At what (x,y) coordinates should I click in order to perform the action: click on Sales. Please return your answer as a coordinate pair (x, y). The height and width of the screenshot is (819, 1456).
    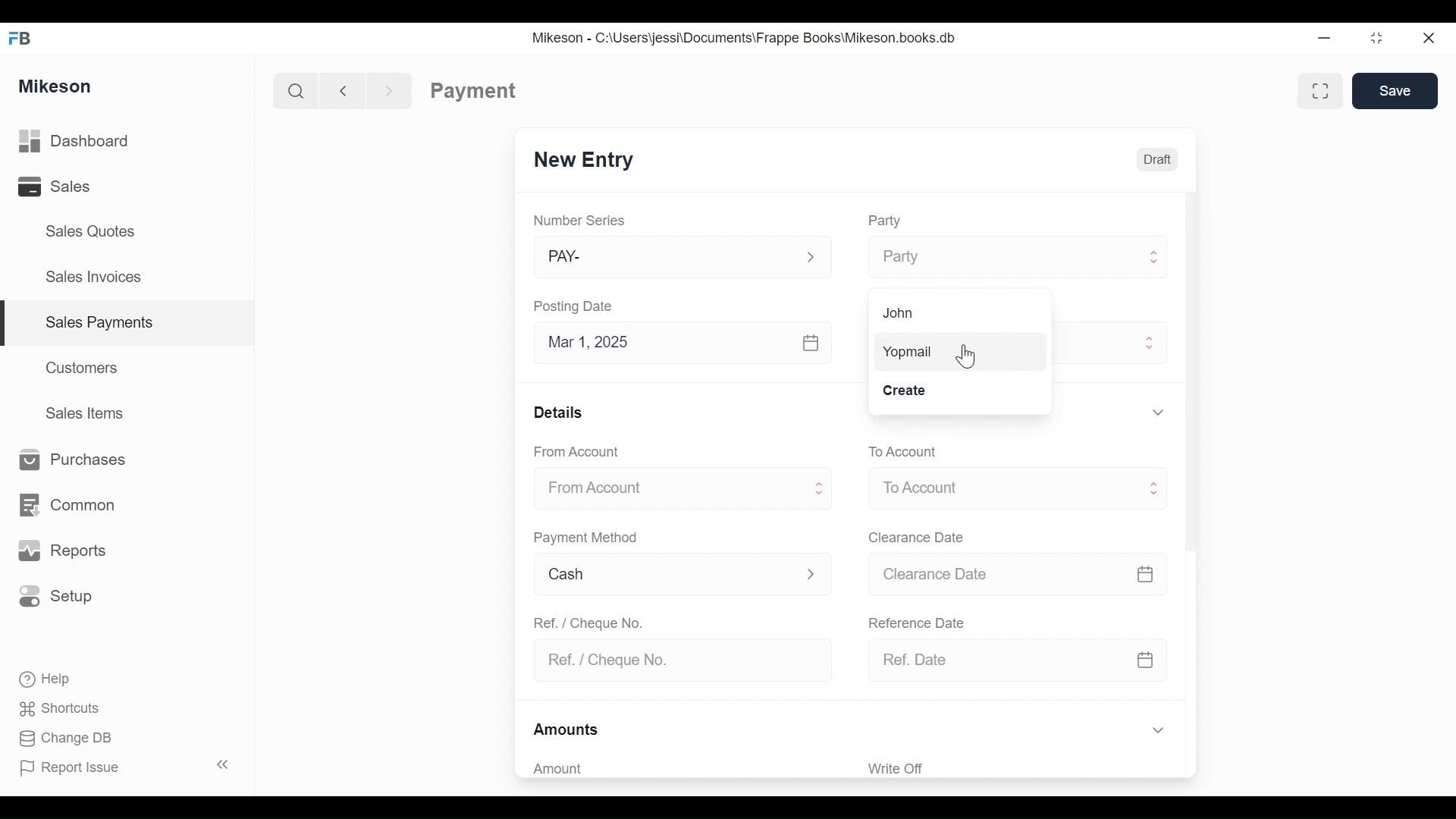
    Looking at the image, I should click on (53, 188).